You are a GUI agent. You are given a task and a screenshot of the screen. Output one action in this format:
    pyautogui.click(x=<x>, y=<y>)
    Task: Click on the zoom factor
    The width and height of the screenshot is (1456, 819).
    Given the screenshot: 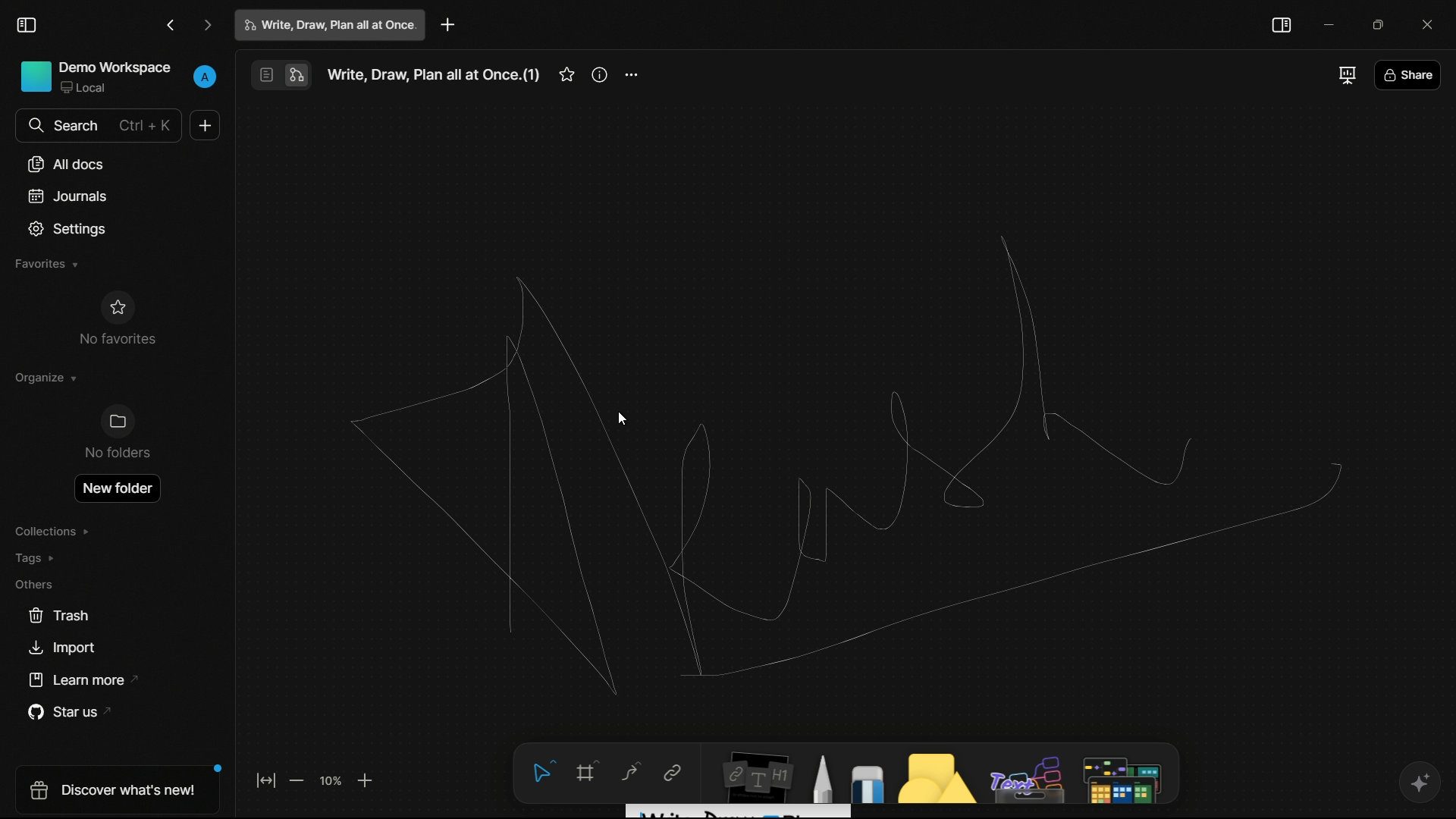 What is the action you would take?
    pyautogui.click(x=331, y=780)
    